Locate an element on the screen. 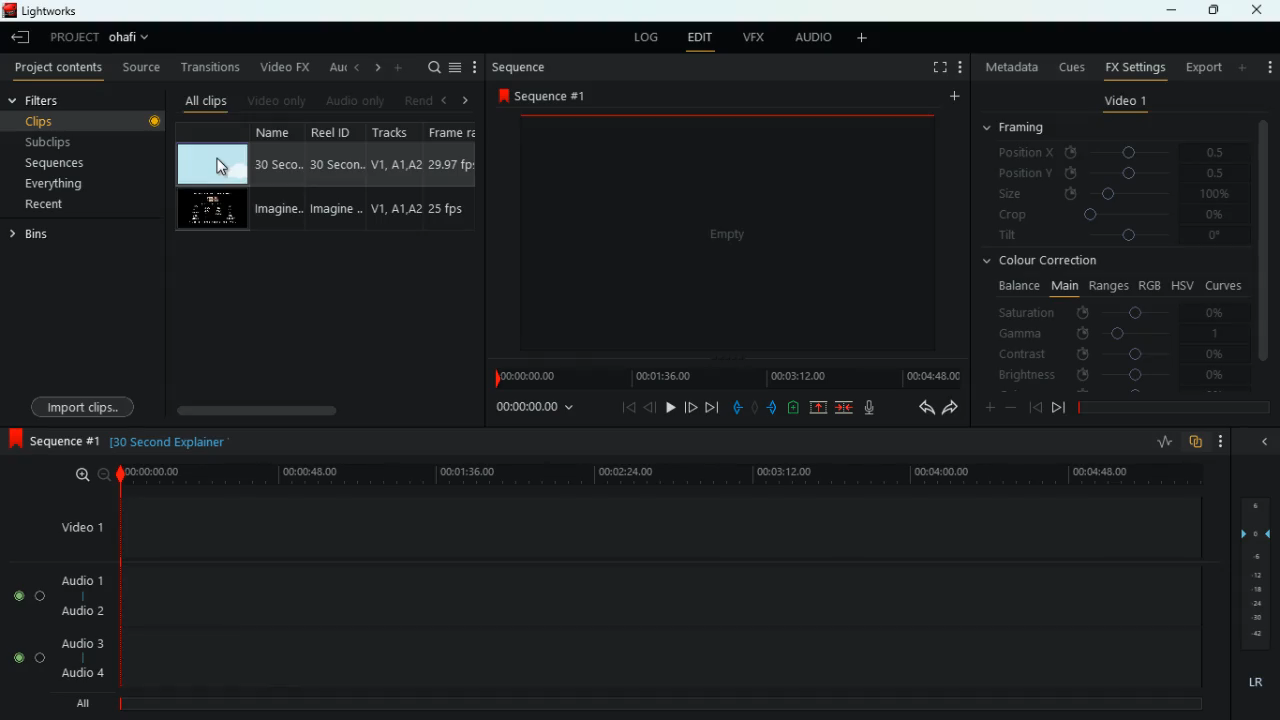 Image resolution: width=1280 pixels, height=720 pixels. audio 1 is located at coordinates (81, 579).